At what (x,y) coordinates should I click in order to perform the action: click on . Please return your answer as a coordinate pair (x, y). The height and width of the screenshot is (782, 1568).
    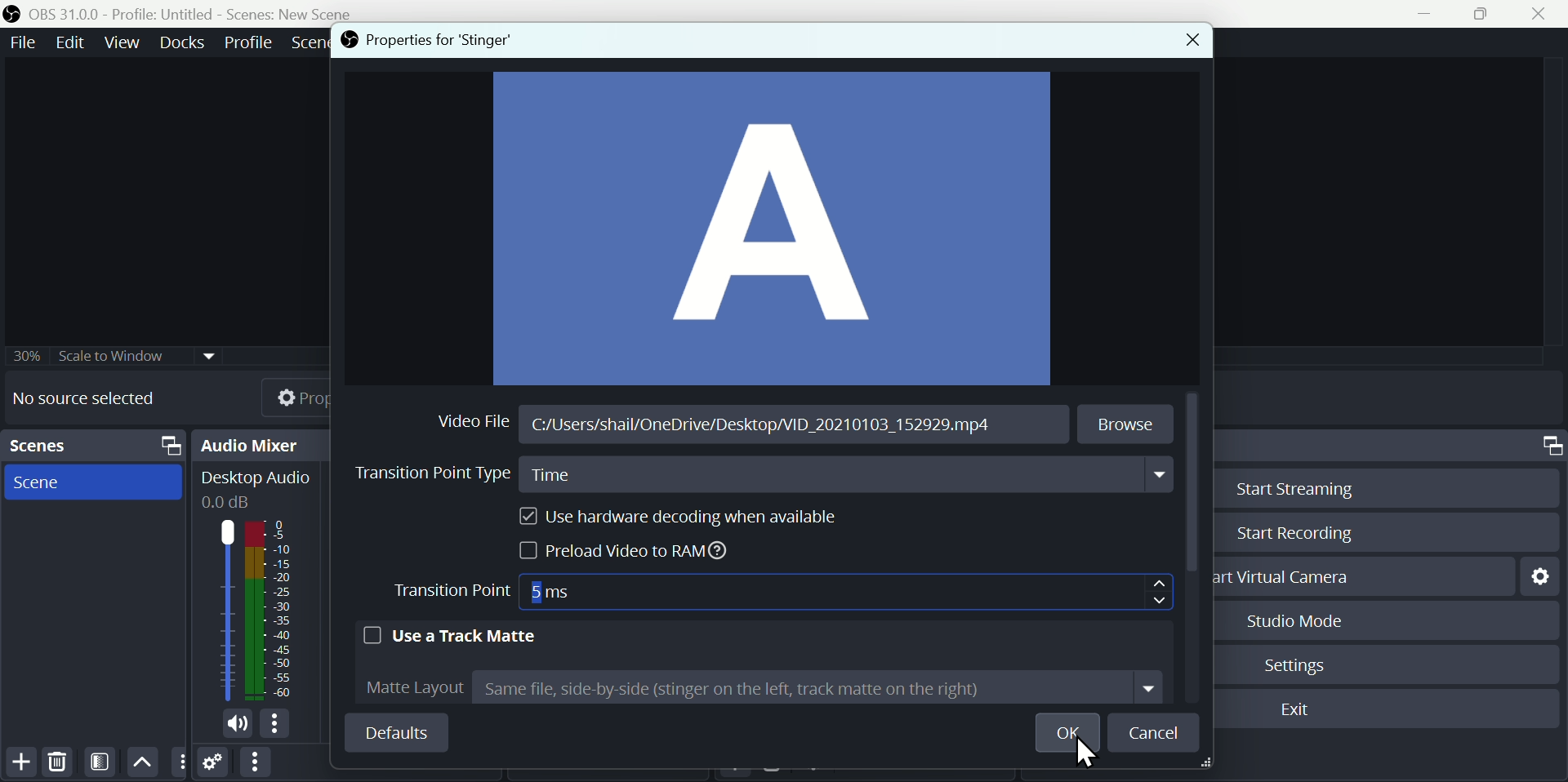
    Looking at the image, I should click on (117, 351).